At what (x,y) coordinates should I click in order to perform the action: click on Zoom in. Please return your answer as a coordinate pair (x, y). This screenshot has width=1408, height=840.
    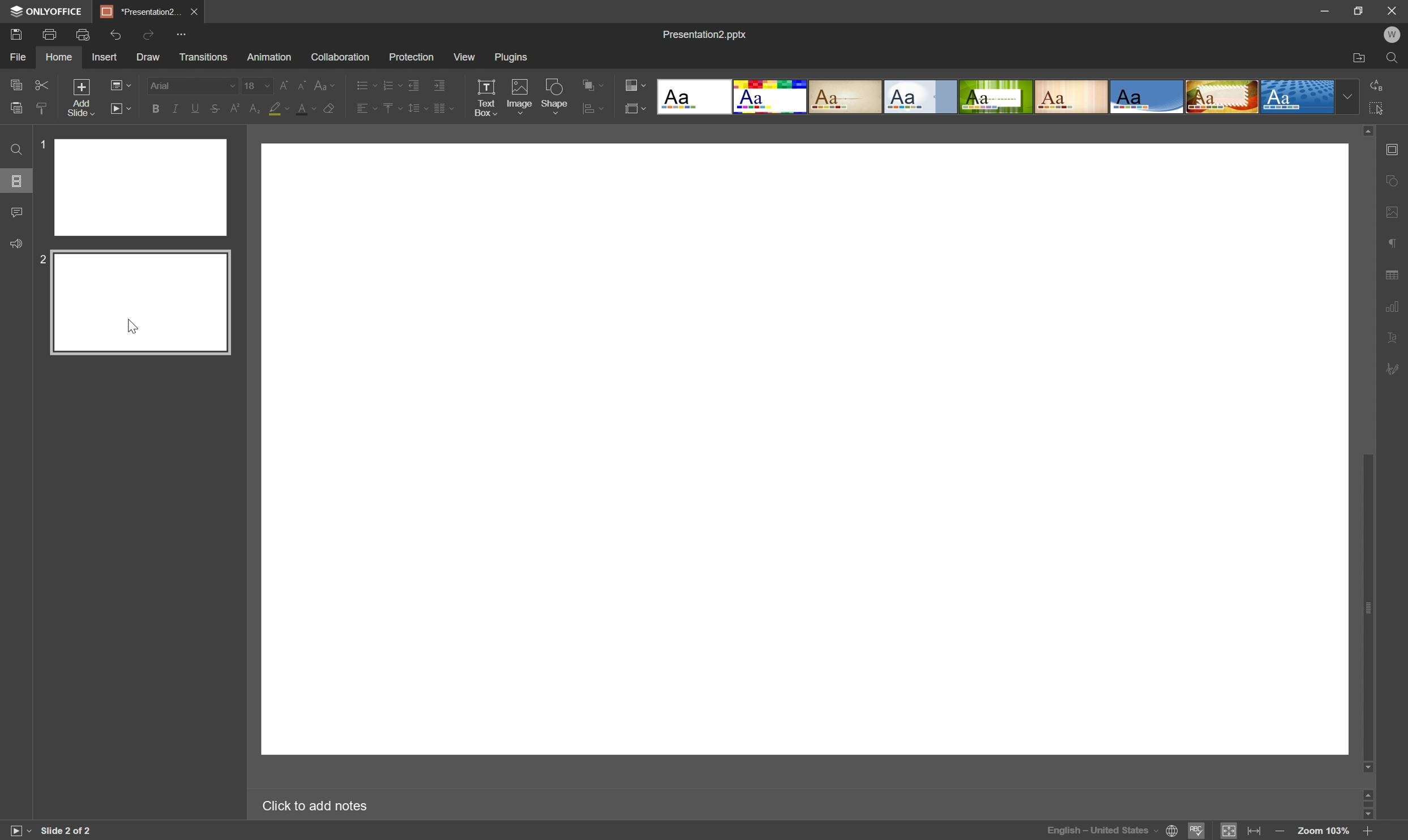
    Looking at the image, I should click on (1368, 830).